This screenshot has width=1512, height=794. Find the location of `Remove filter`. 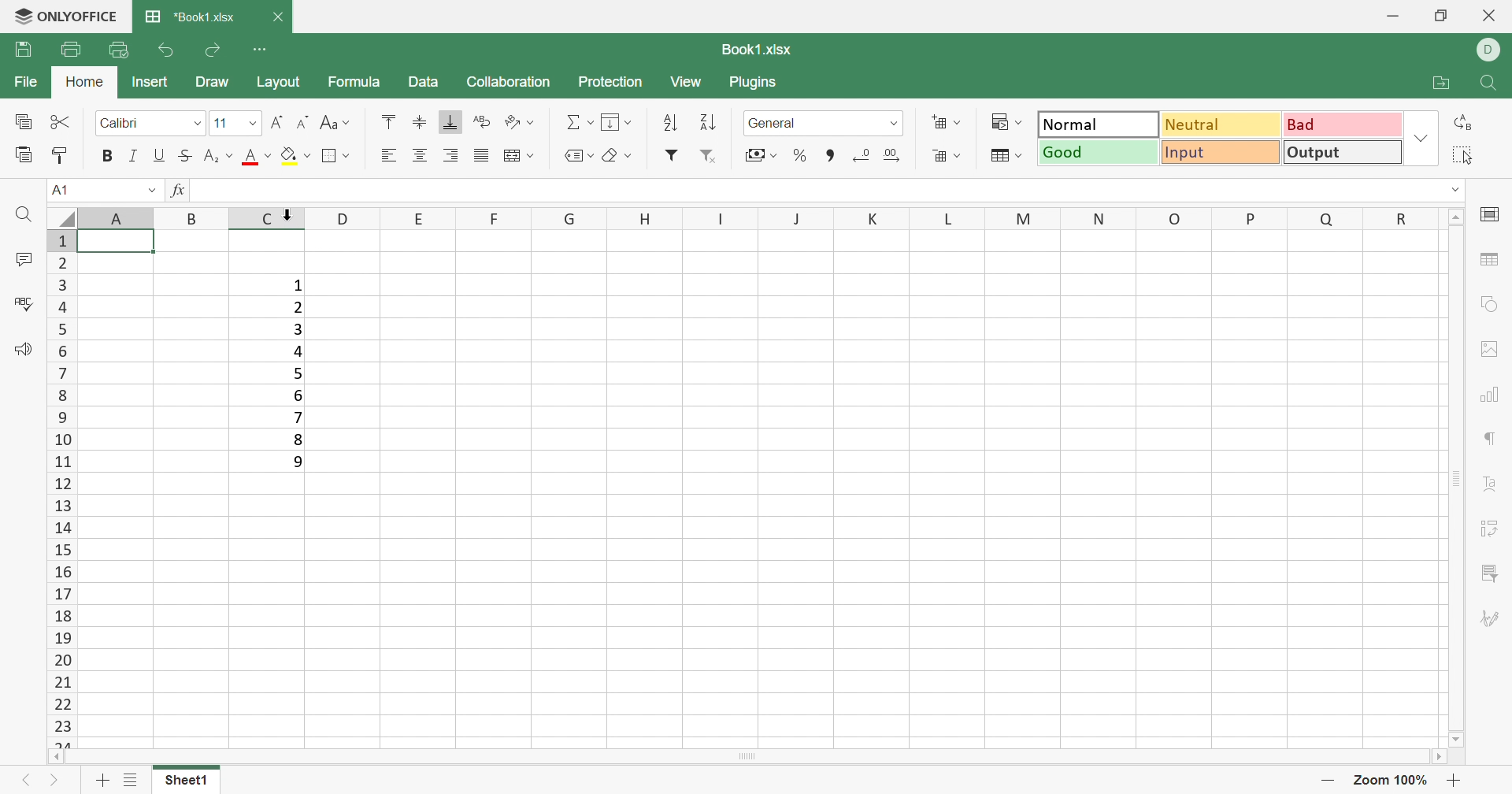

Remove filter is located at coordinates (714, 155).